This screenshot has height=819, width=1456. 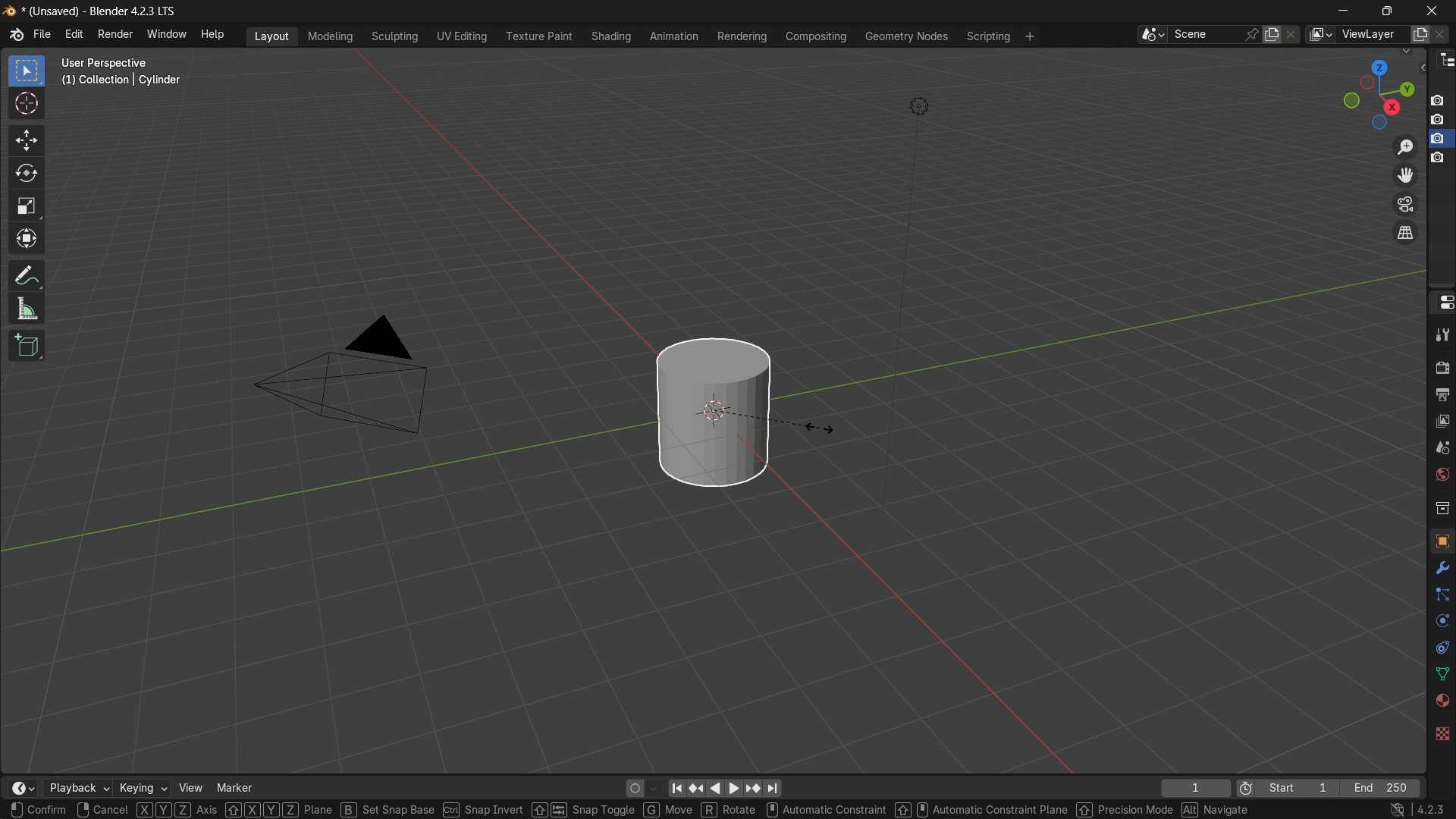 What do you see at coordinates (27, 310) in the screenshot?
I see `measure` at bounding box center [27, 310].